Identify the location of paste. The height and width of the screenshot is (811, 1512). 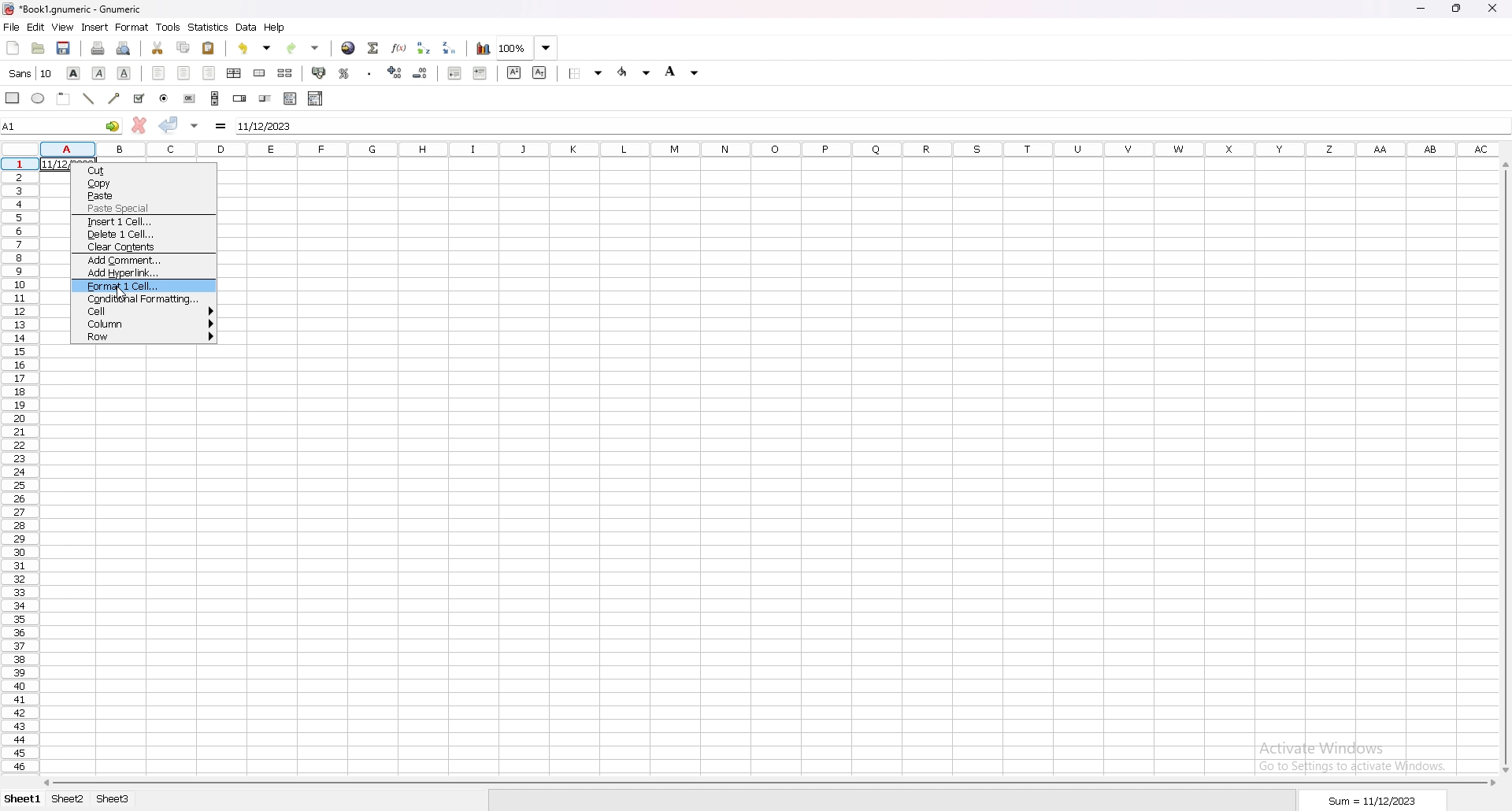
(207, 49).